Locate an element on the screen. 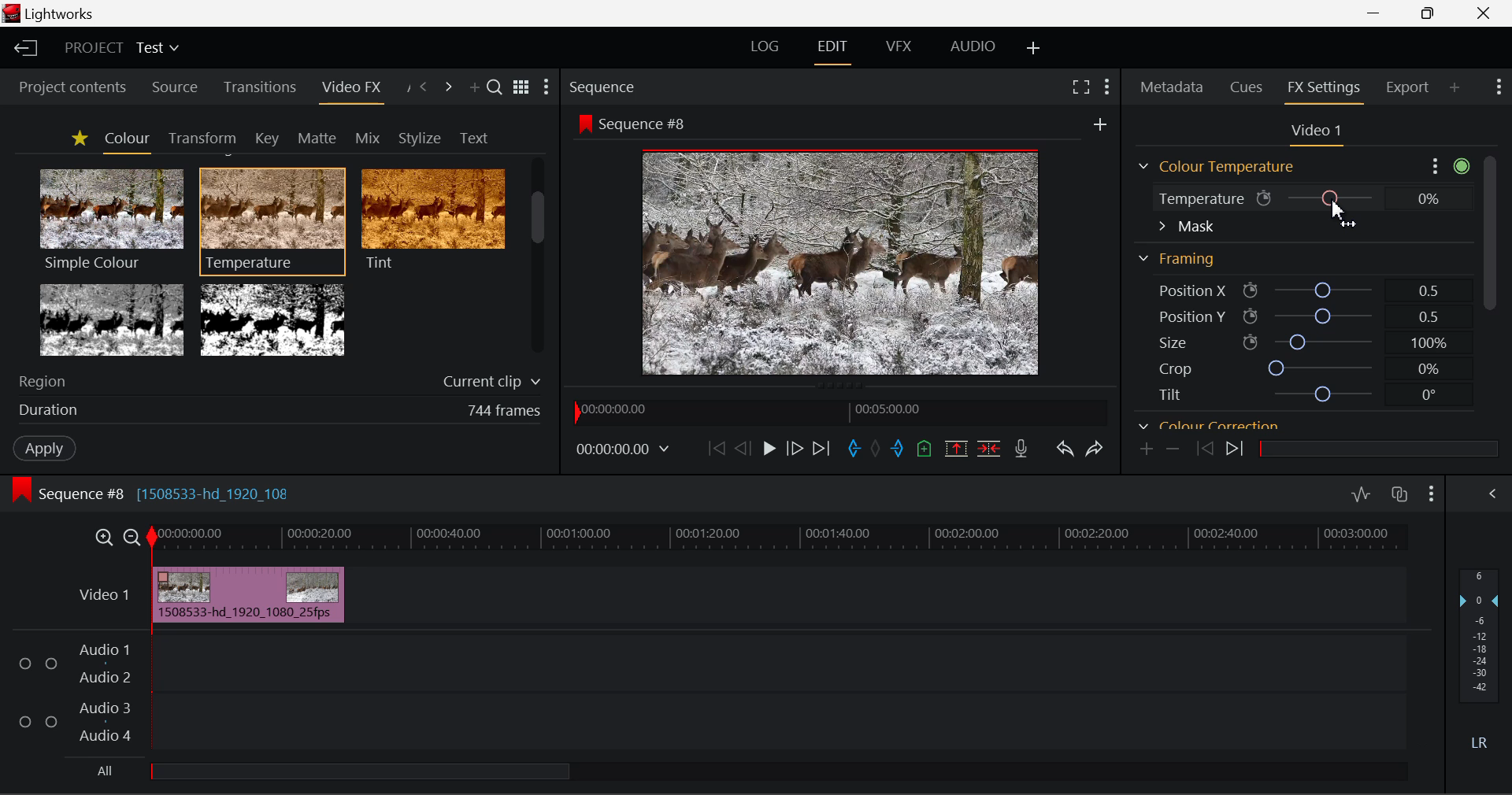 Image resolution: width=1512 pixels, height=795 pixels. Record Voiceover is located at coordinates (1021, 447).